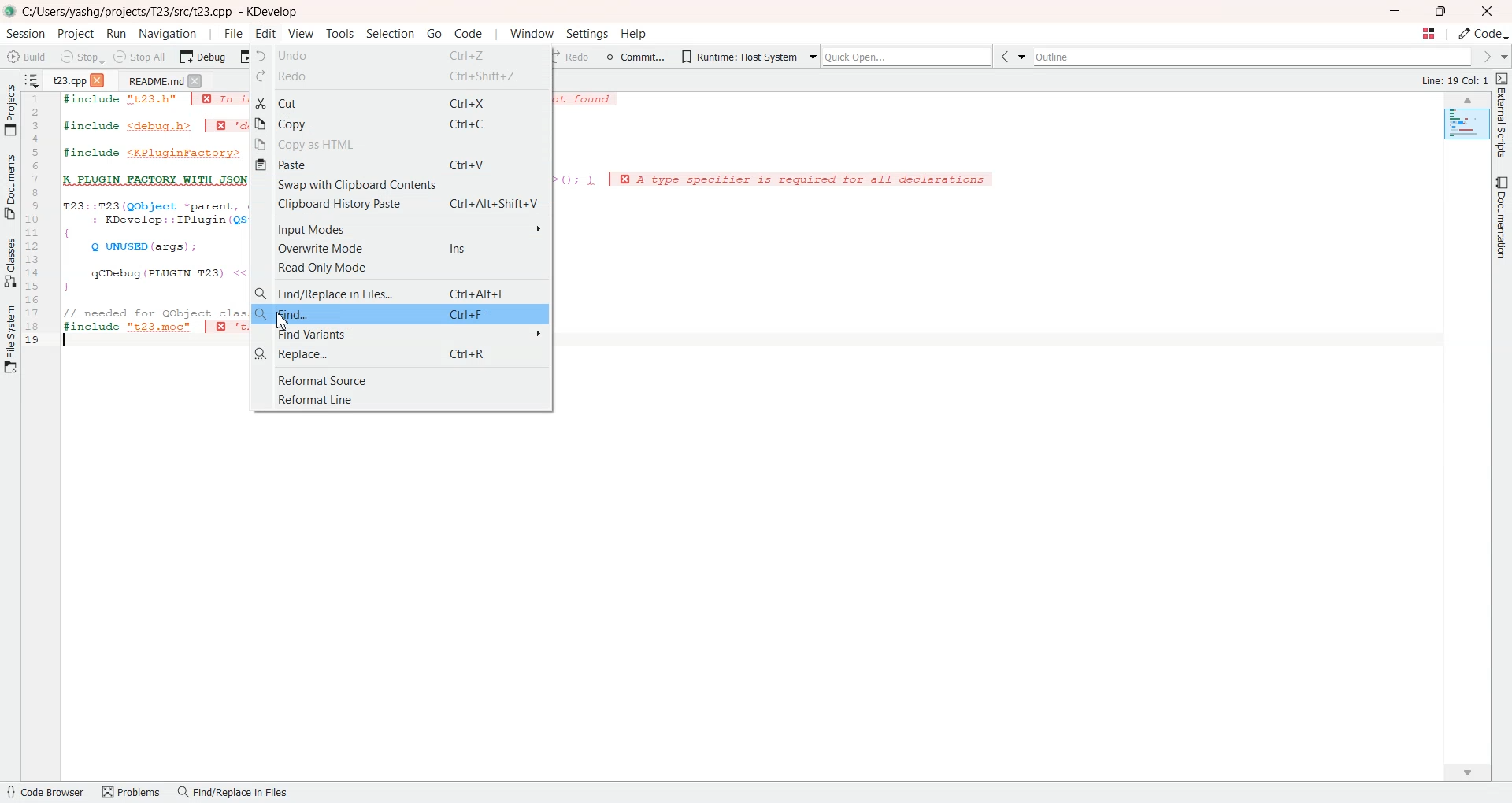  I want to click on Scroll up, so click(1468, 100).